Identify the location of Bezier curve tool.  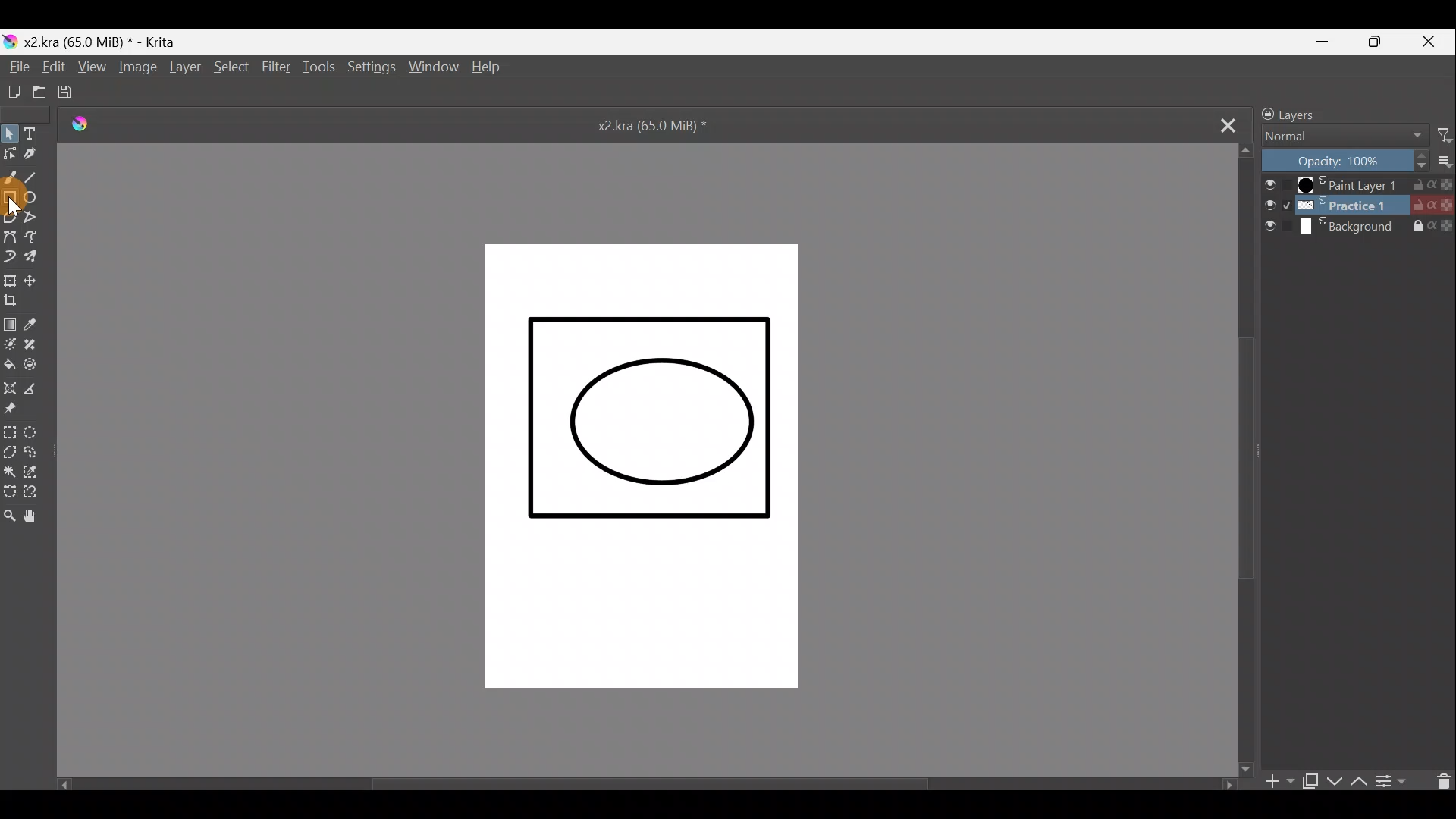
(10, 235).